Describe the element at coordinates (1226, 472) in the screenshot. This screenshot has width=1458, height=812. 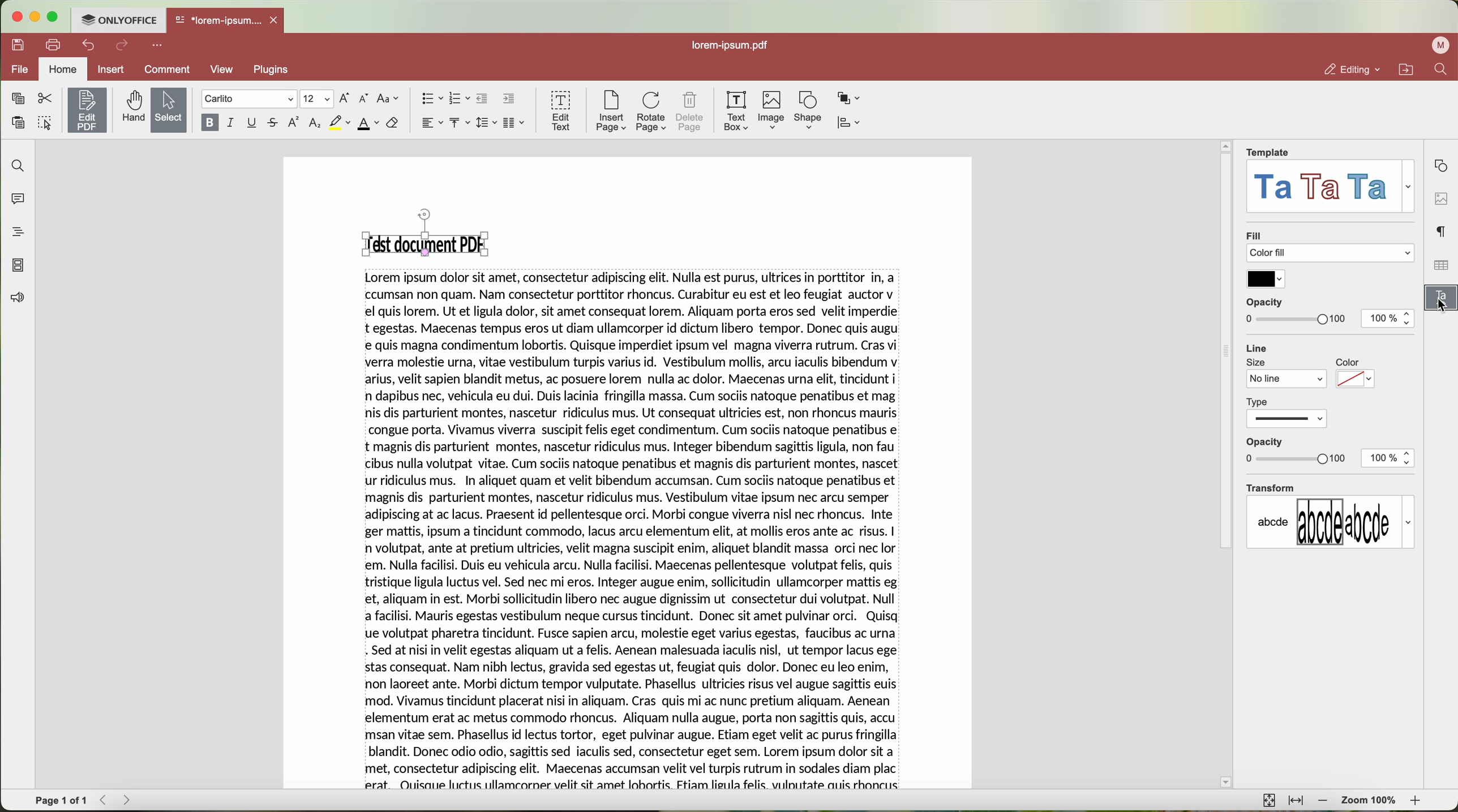
I see `scrollbar` at that location.